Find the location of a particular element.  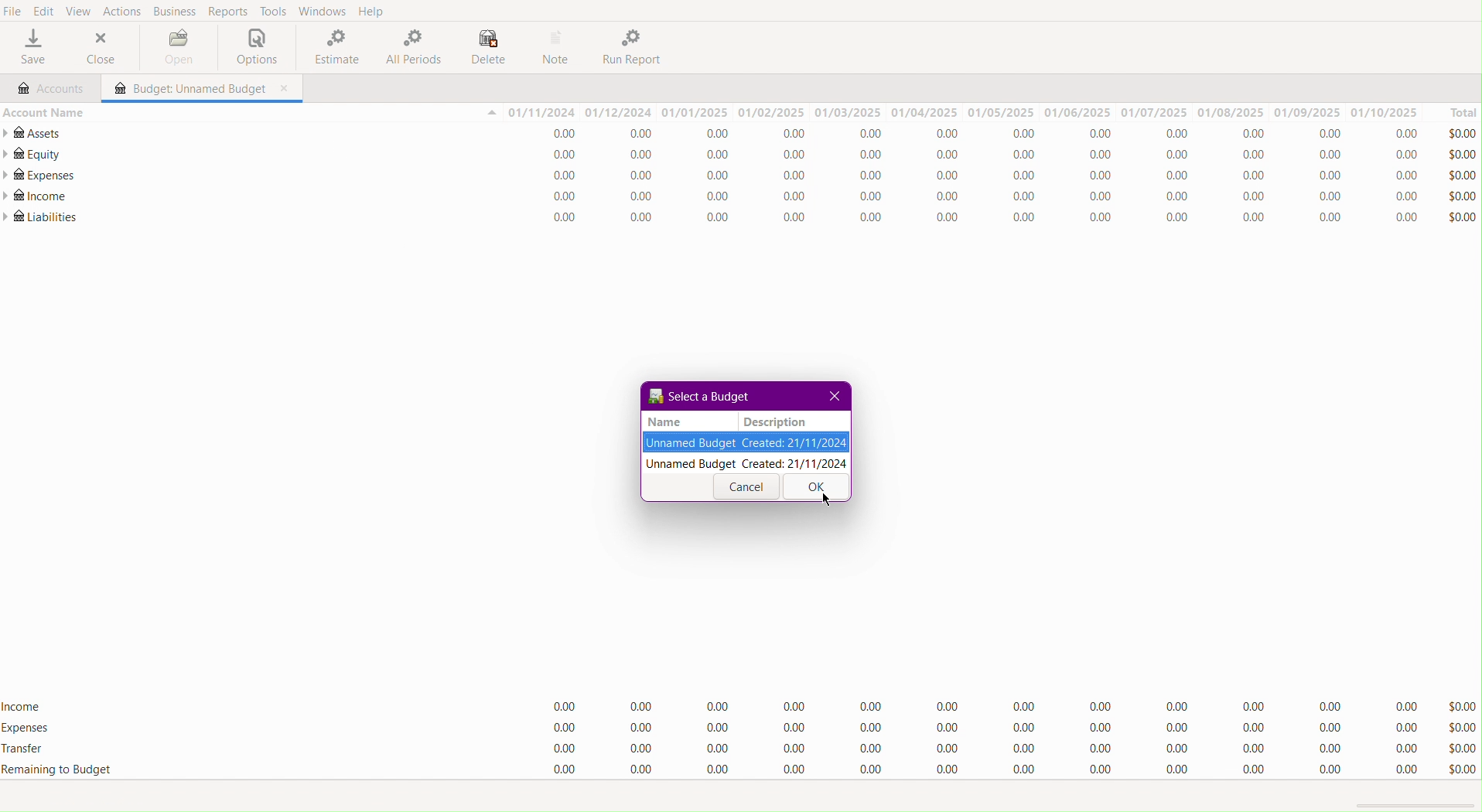

File is located at coordinates (13, 11).